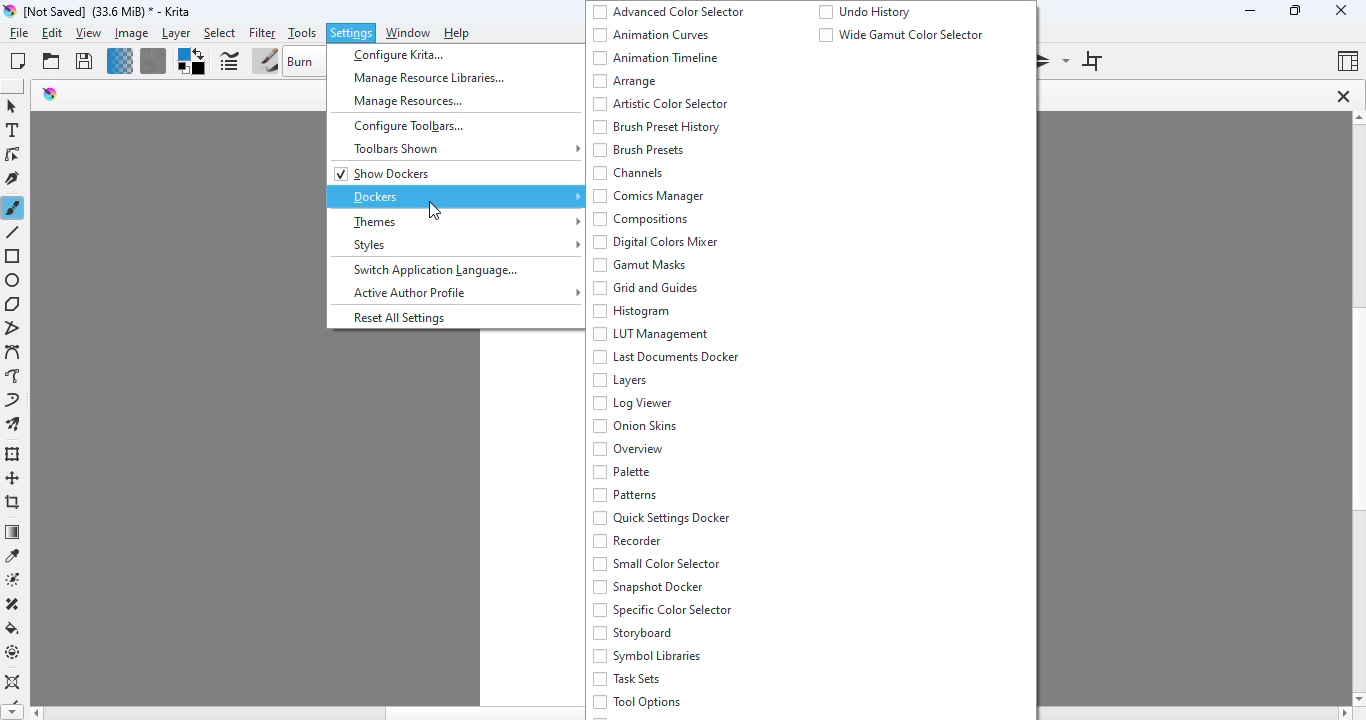 The height and width of the screenshot is (720, 1366). What do you see at coordinates (628, 449) in the screenshot?
I see `overview` at bounding box center [628, 449].